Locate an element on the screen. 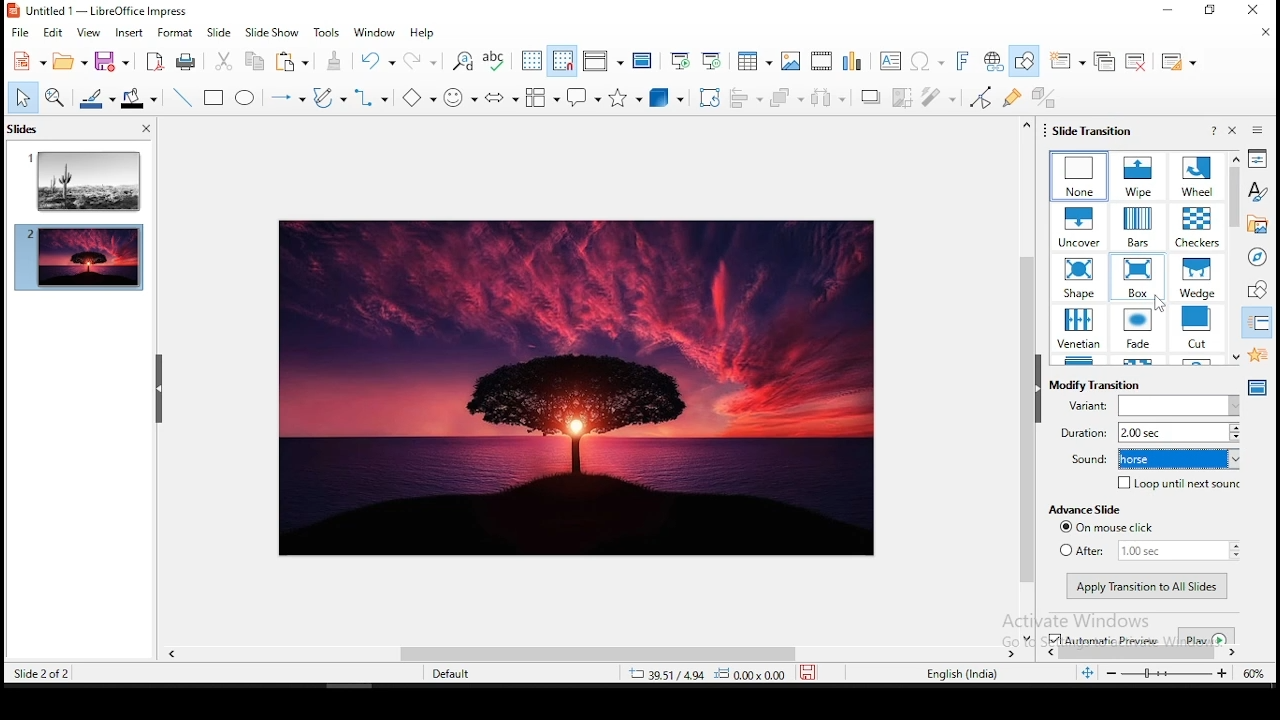 This screenshot has height=720, width=1280. window is located at coordinates (373, 34).